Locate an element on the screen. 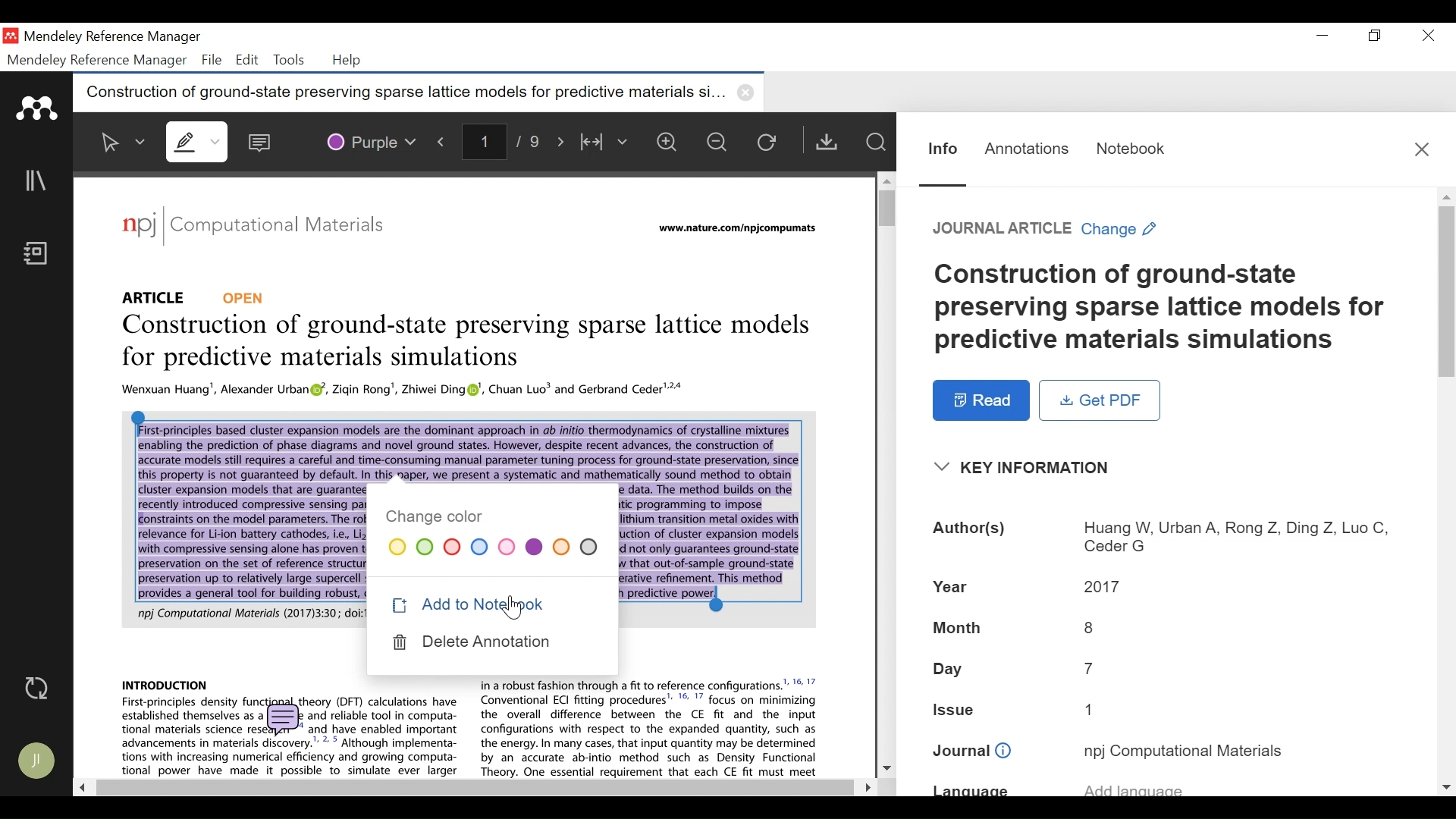 The image size is (1456, 819). Year is located at coordinates (1103, 585).